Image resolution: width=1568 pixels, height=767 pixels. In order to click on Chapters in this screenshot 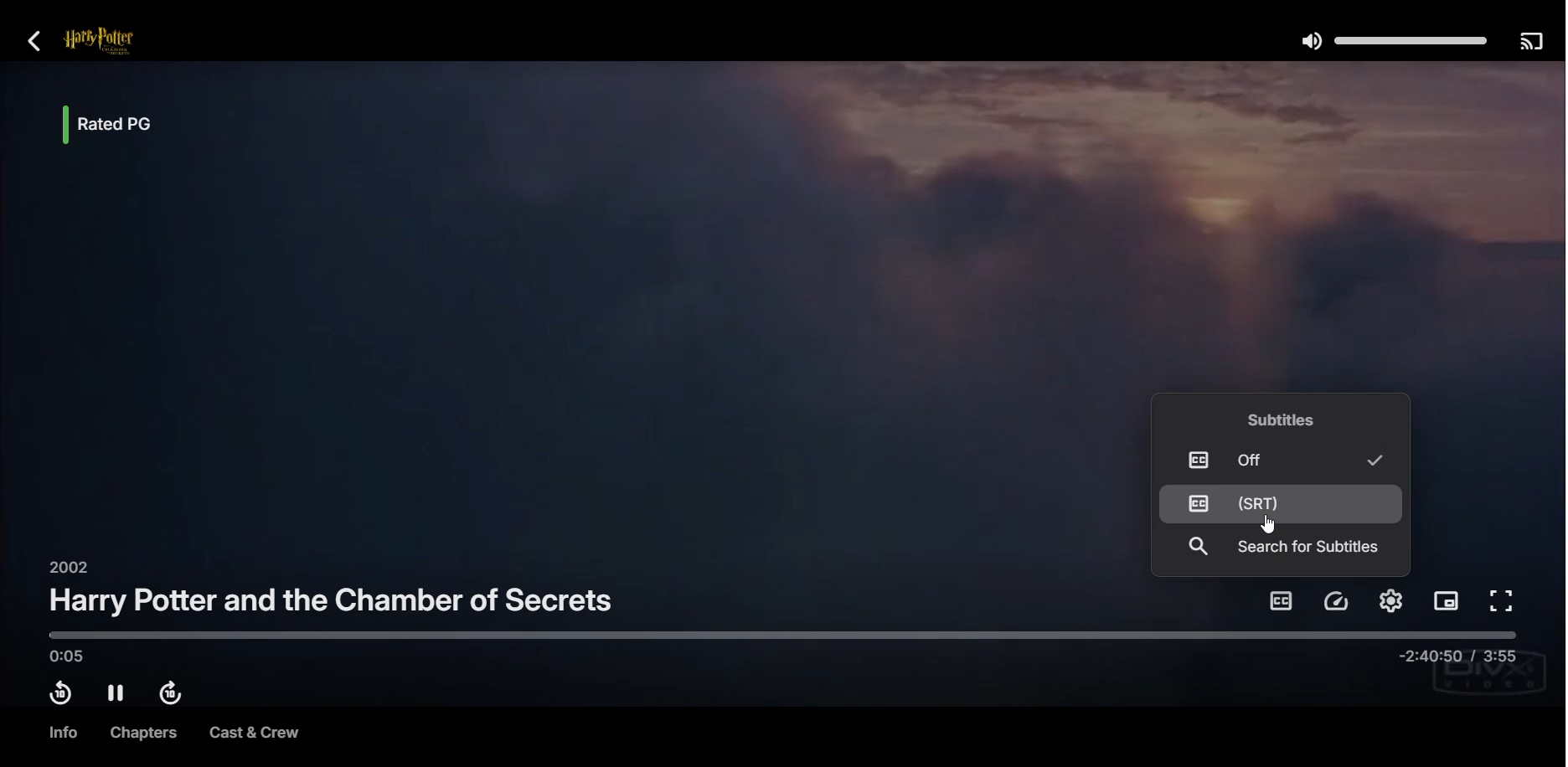, I will do `click(139, 733)`.